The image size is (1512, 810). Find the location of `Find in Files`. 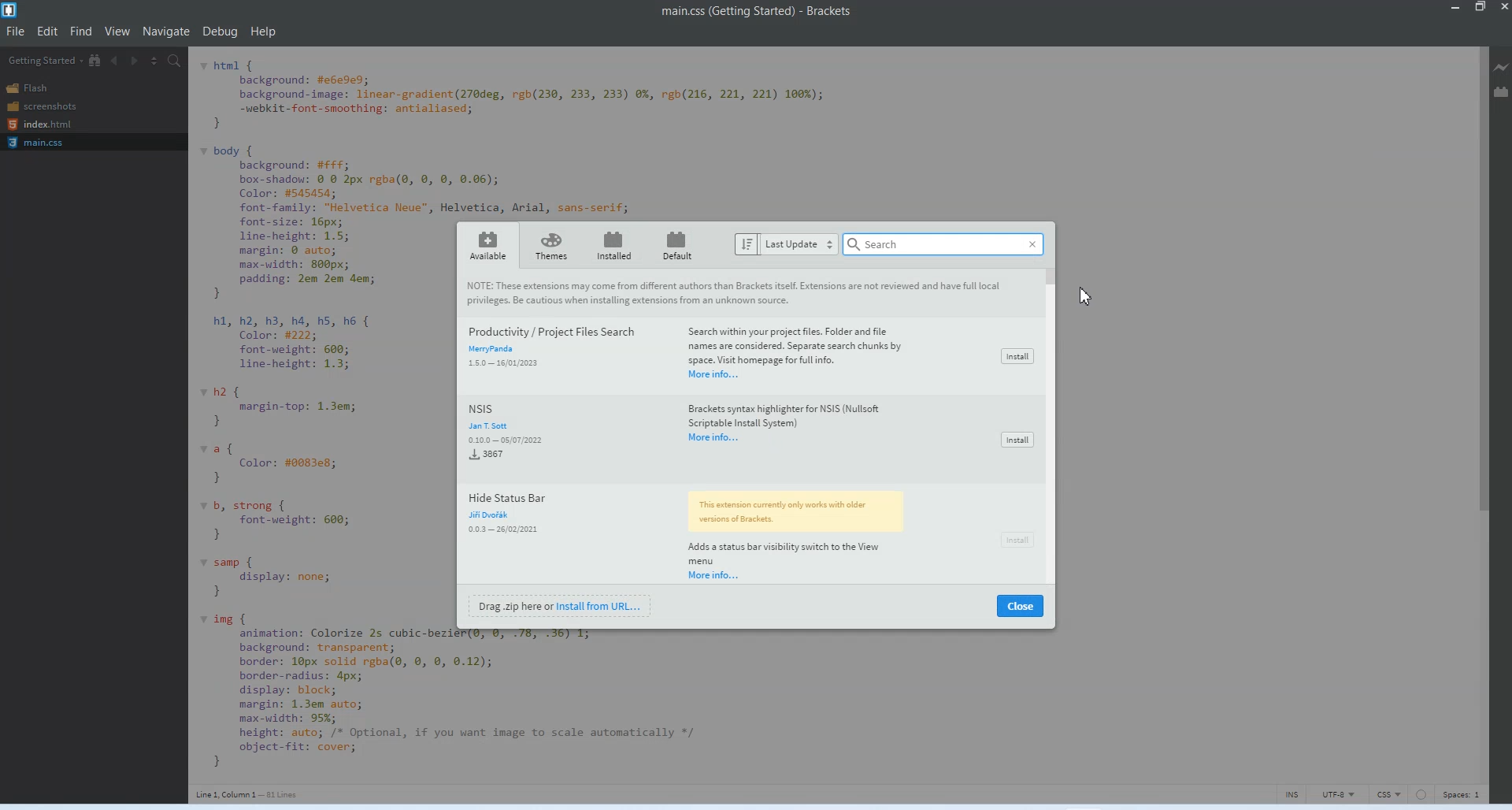

Find in Files is located at coordinates (176, 60).